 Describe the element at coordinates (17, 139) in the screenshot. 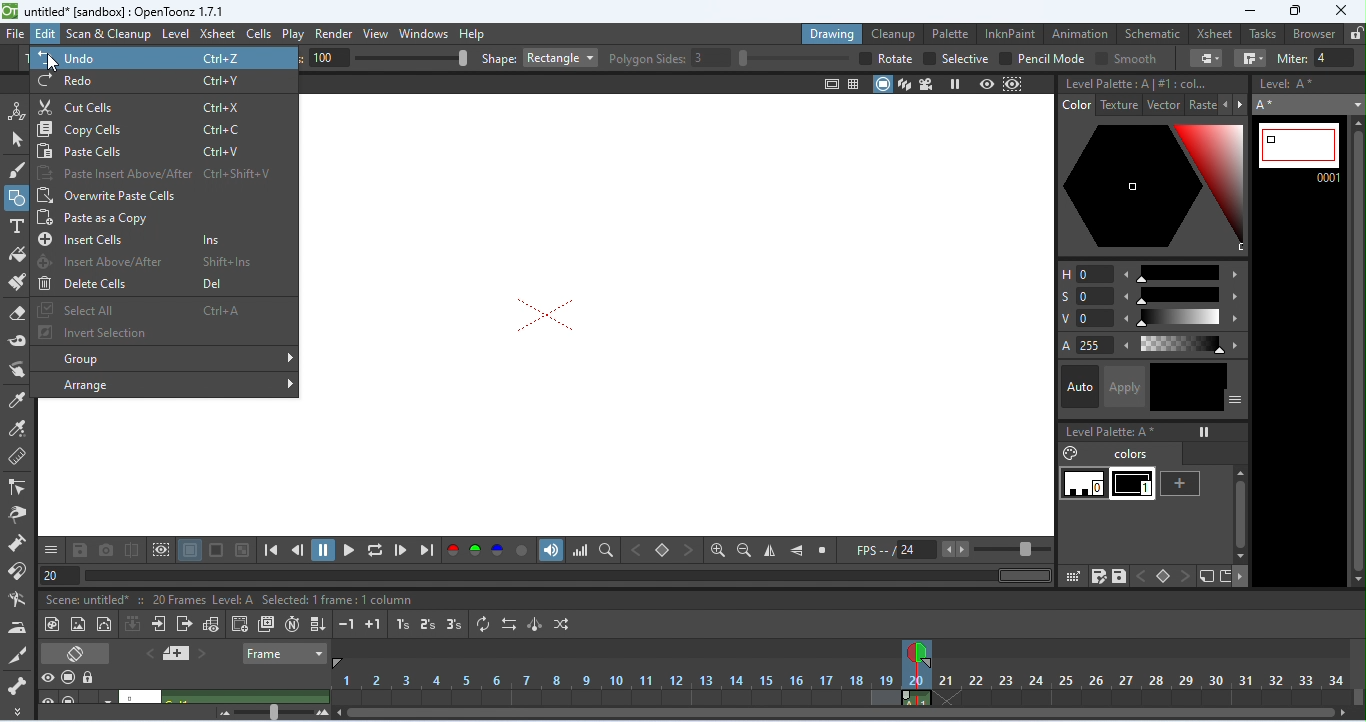

I see `selection` at that location.